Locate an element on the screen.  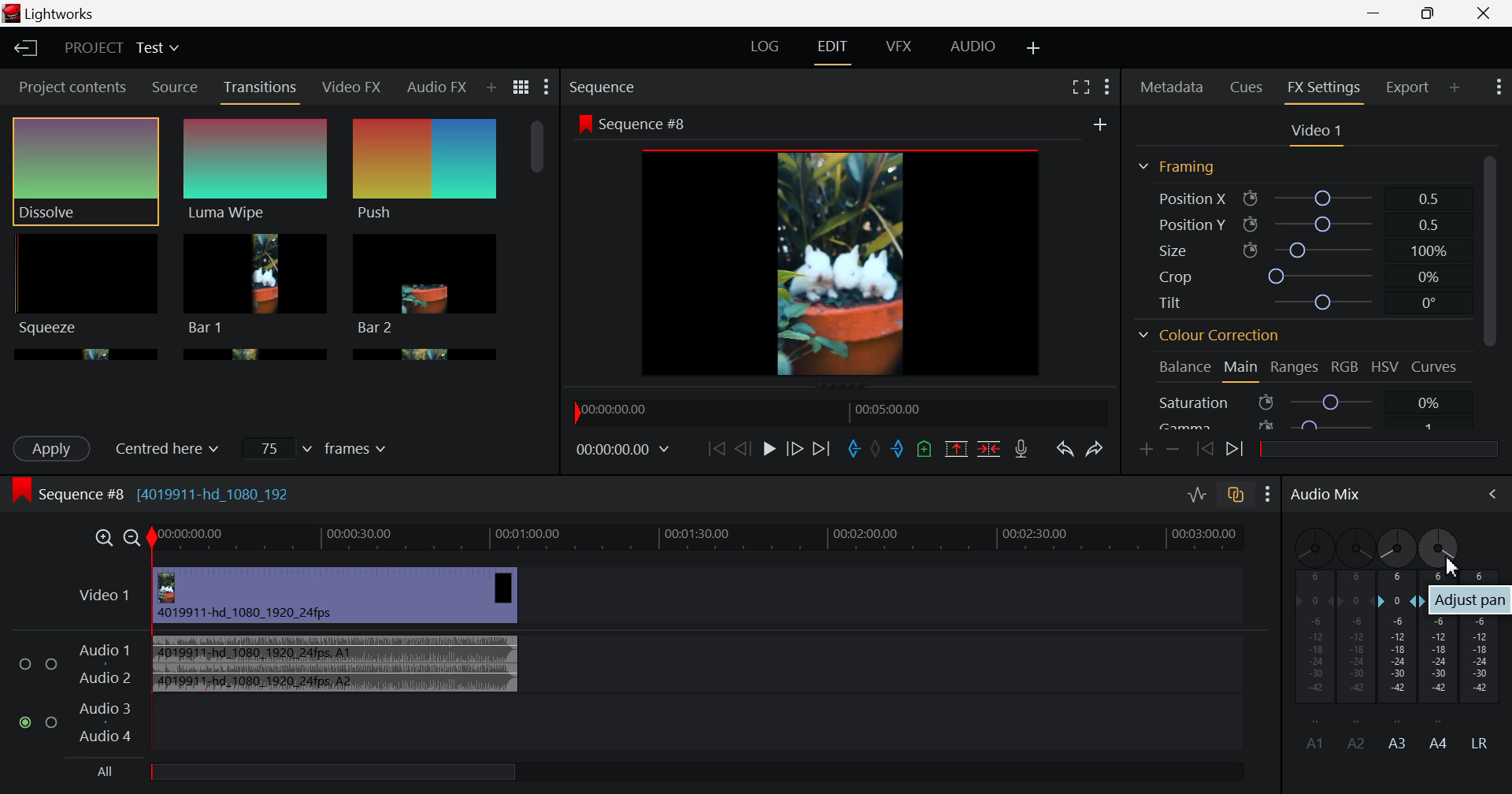
Show Settings is located at coordinates (547, 87).